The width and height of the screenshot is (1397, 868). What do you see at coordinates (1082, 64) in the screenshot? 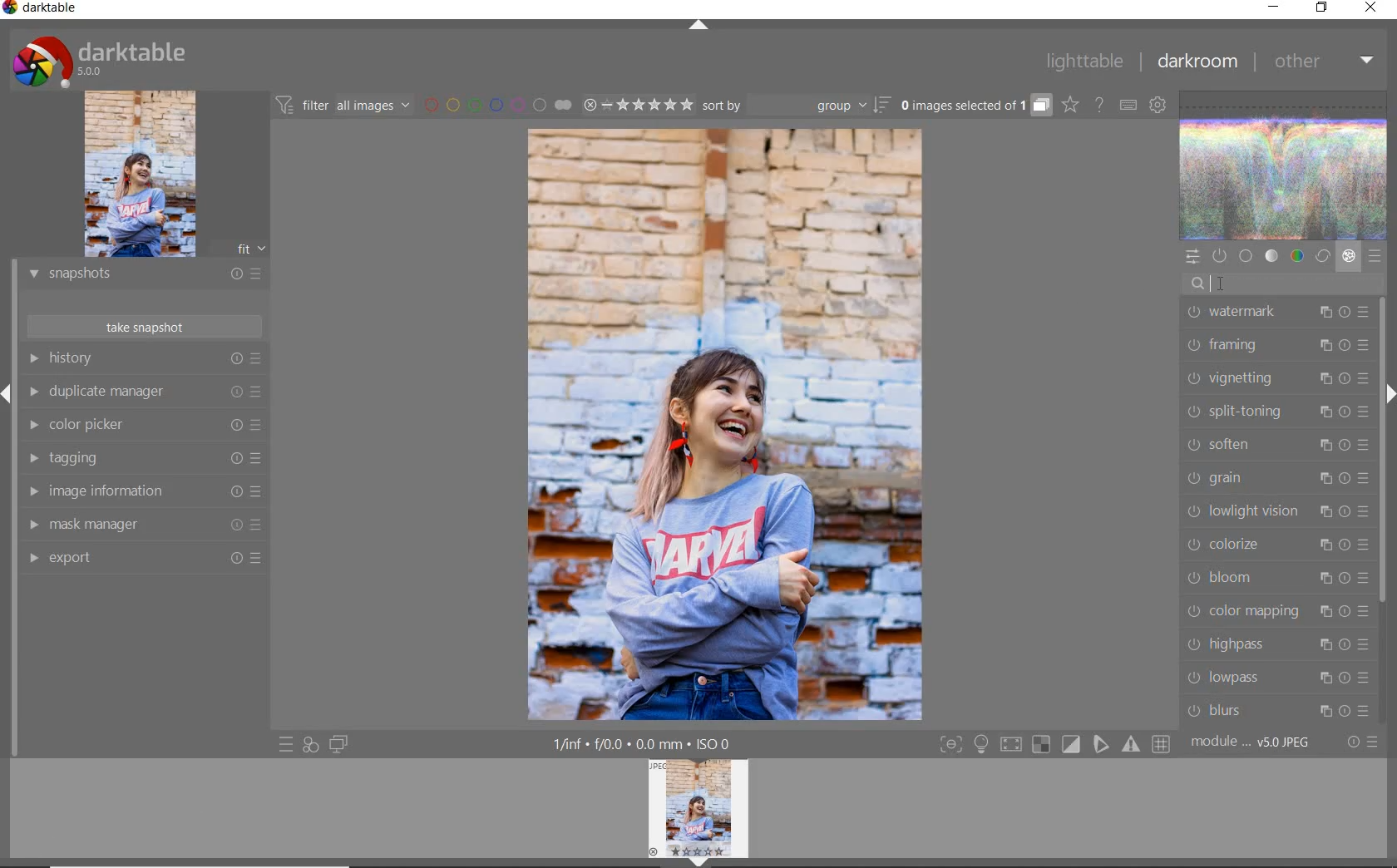
I see `lighttable` at bounding box center [1082, 64].